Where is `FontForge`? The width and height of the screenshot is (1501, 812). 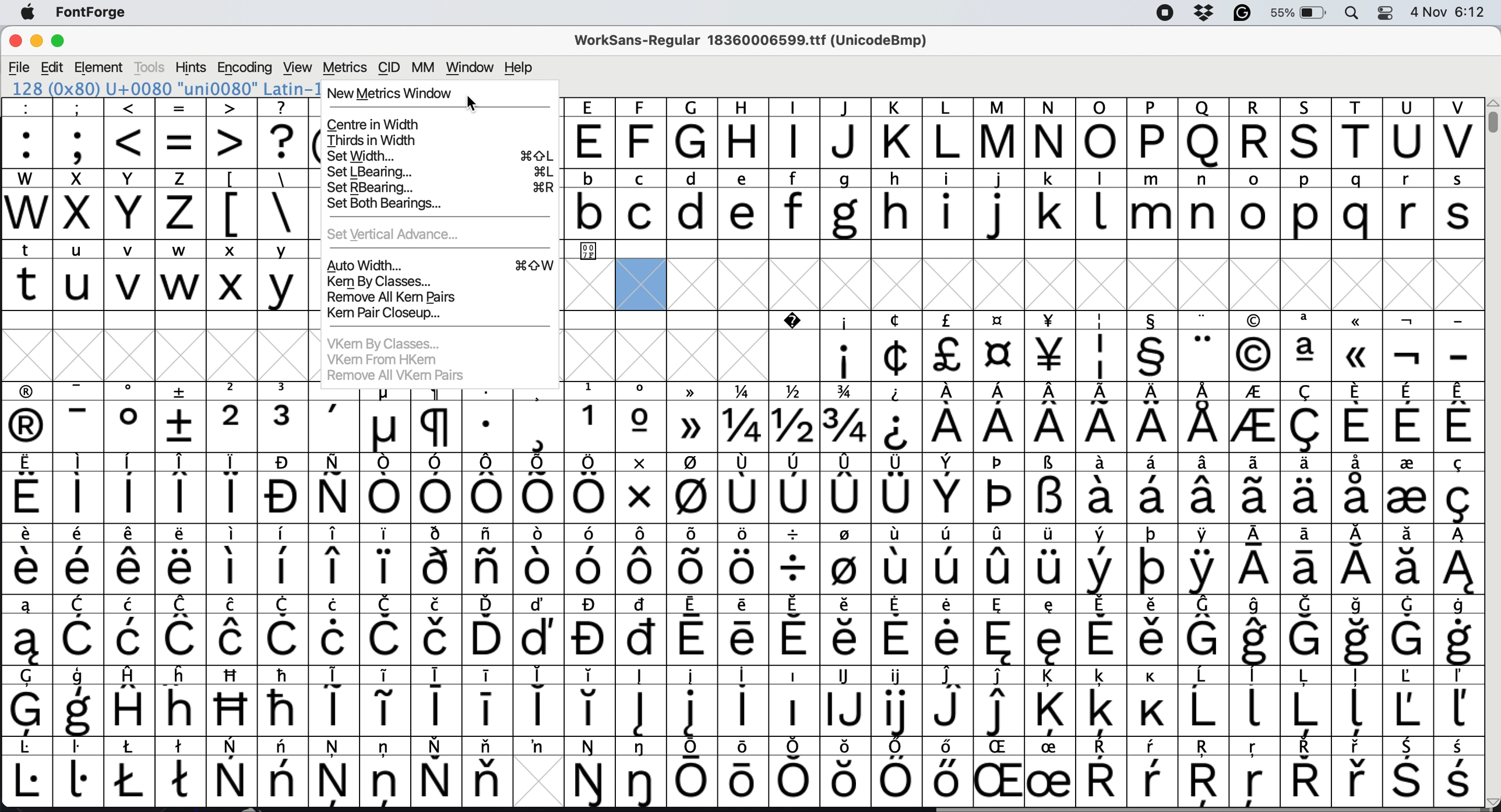 FontForge is located at coordinates (94, 13).